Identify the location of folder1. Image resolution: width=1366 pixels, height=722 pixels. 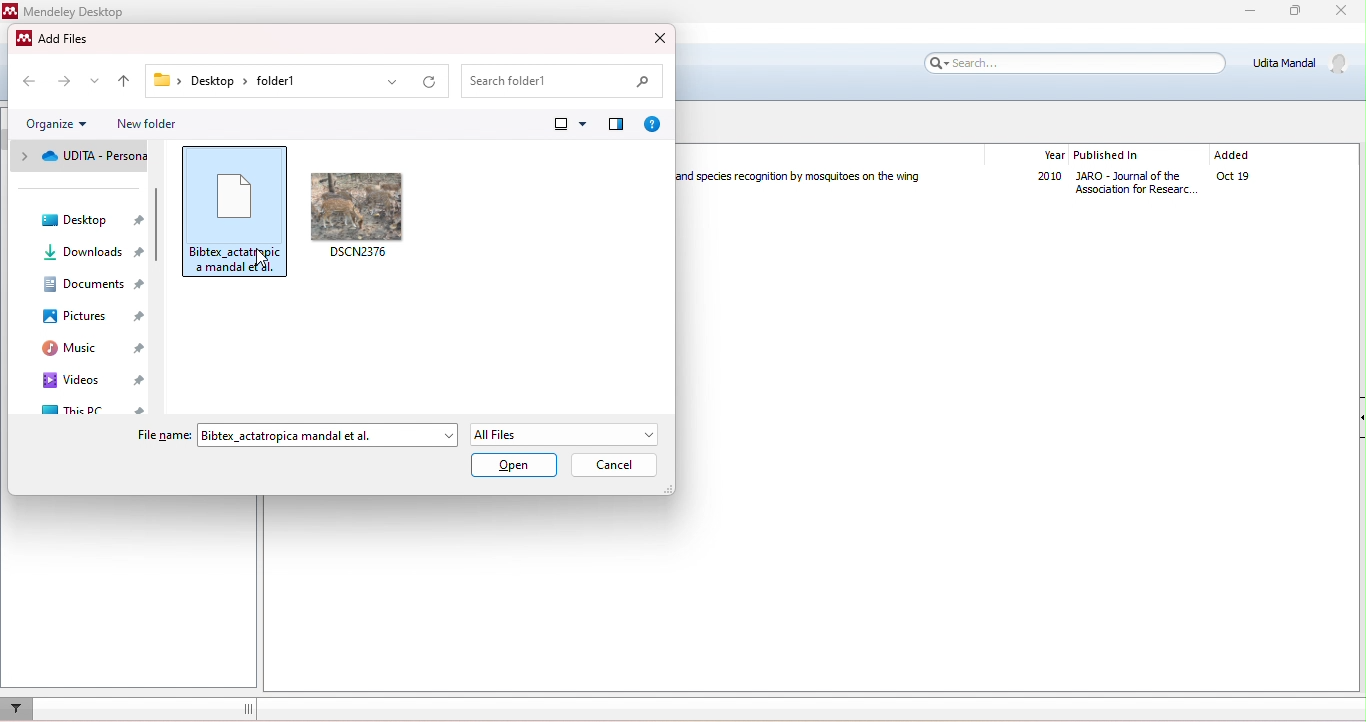
(277, 80).